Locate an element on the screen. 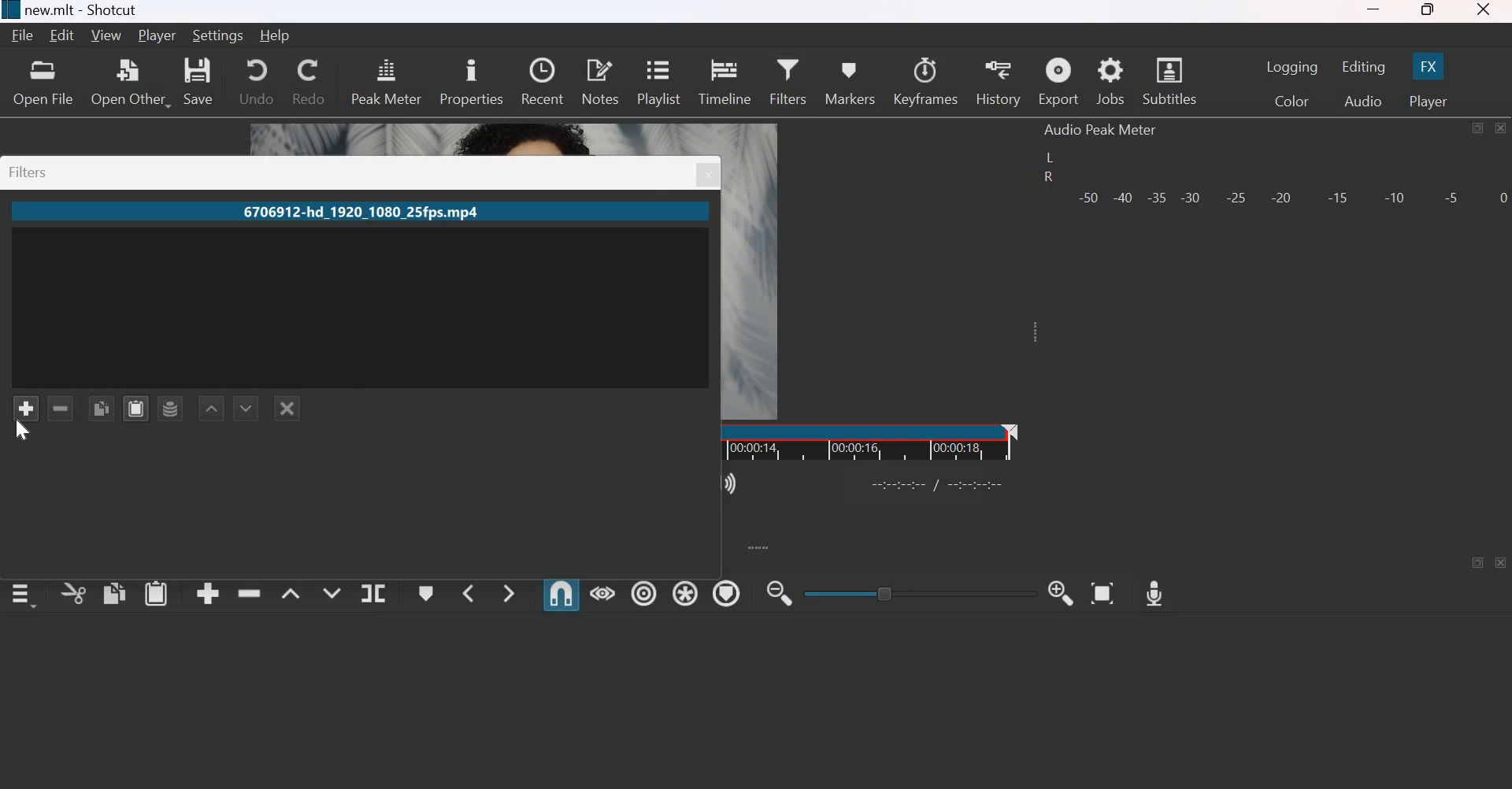 The height and width of the screenshot is (789, 1512). Subtitles is located at coordinates (1172, 80).